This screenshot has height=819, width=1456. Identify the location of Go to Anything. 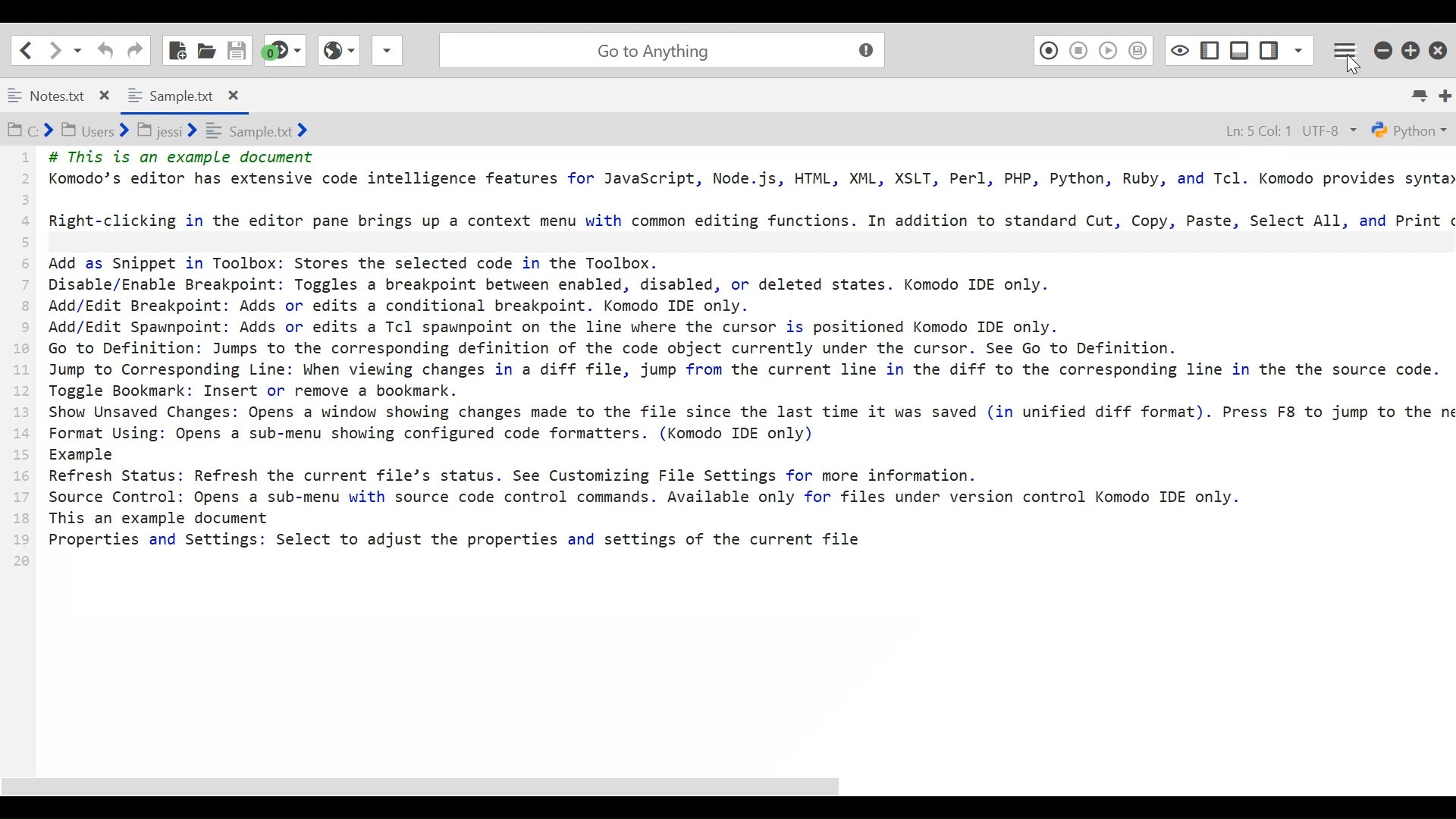
(666, 50).